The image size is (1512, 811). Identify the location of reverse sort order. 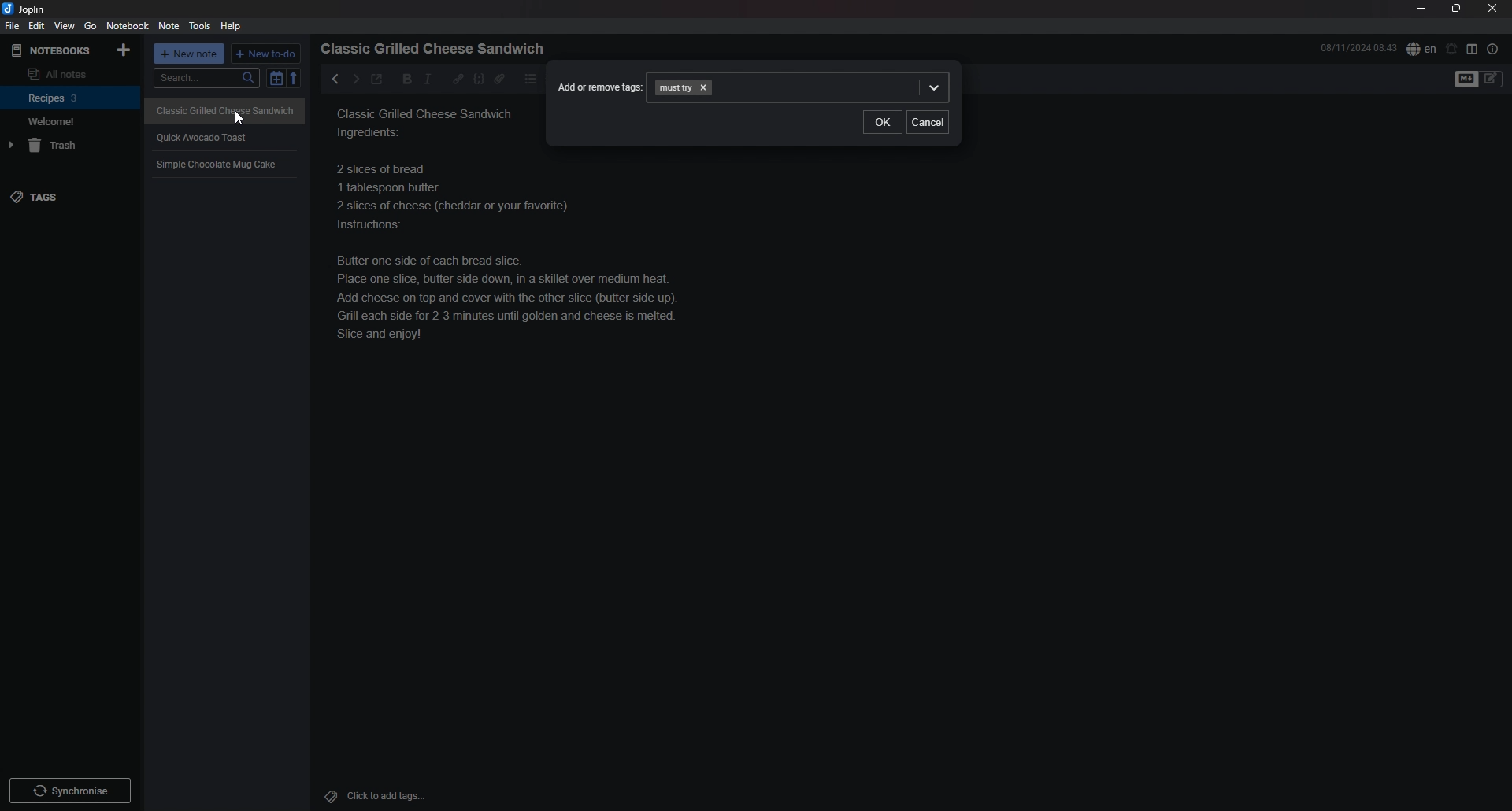
(295, 78).